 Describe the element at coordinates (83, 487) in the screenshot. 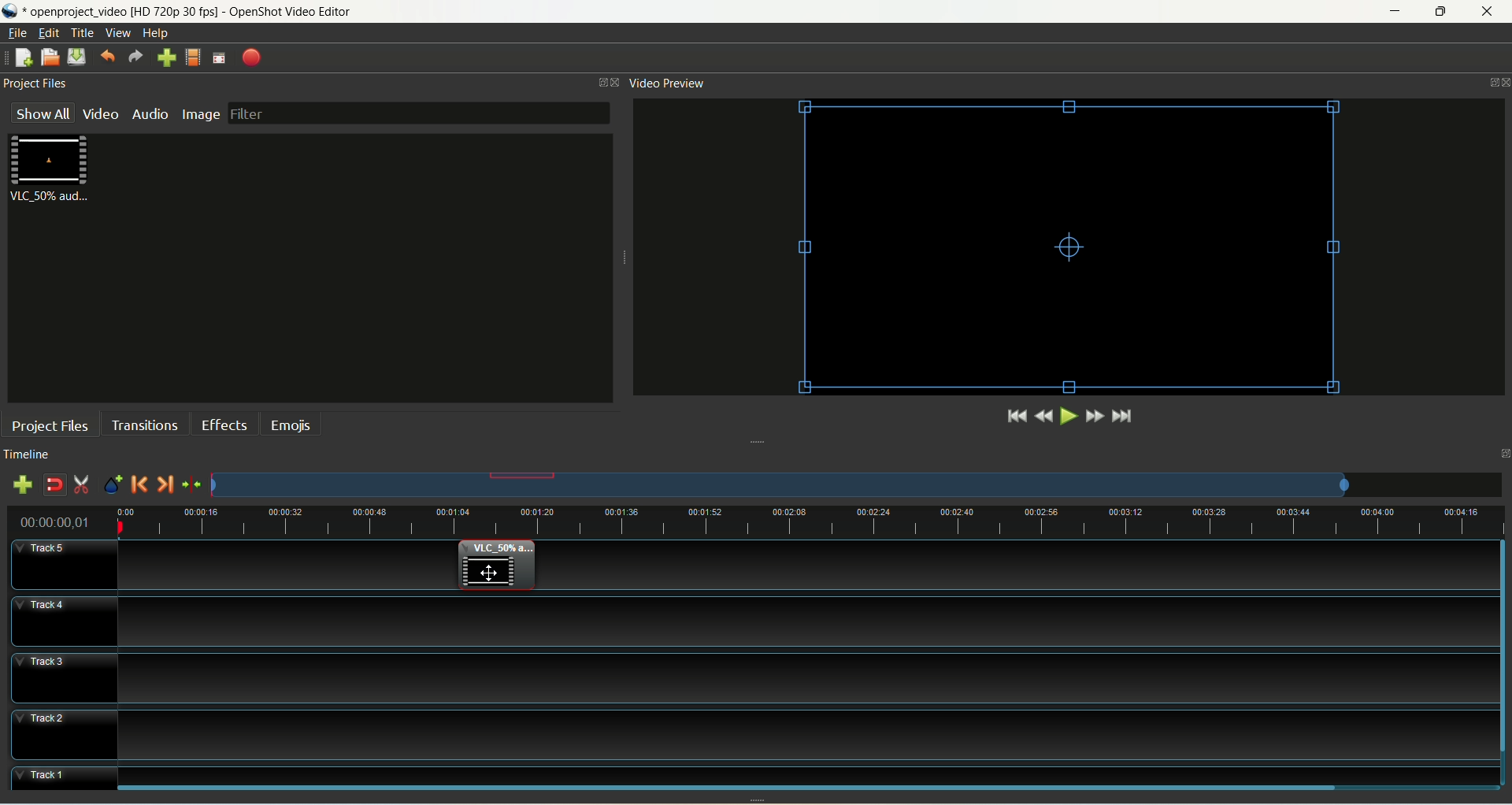

I see `enable razor` at that location.